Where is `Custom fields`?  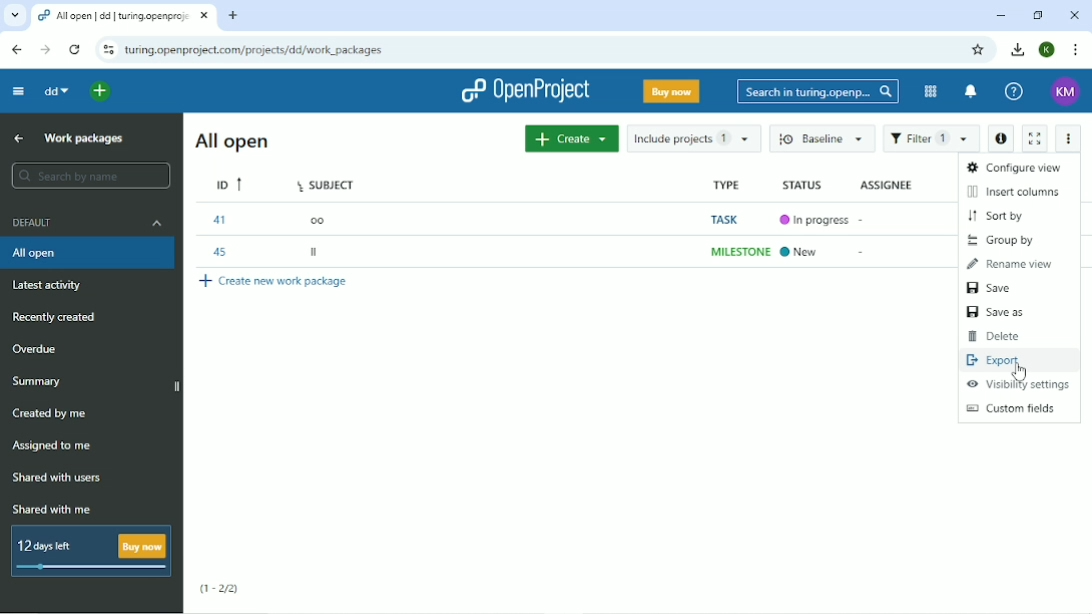
Custom fields is located at coordinates (1017, 409).